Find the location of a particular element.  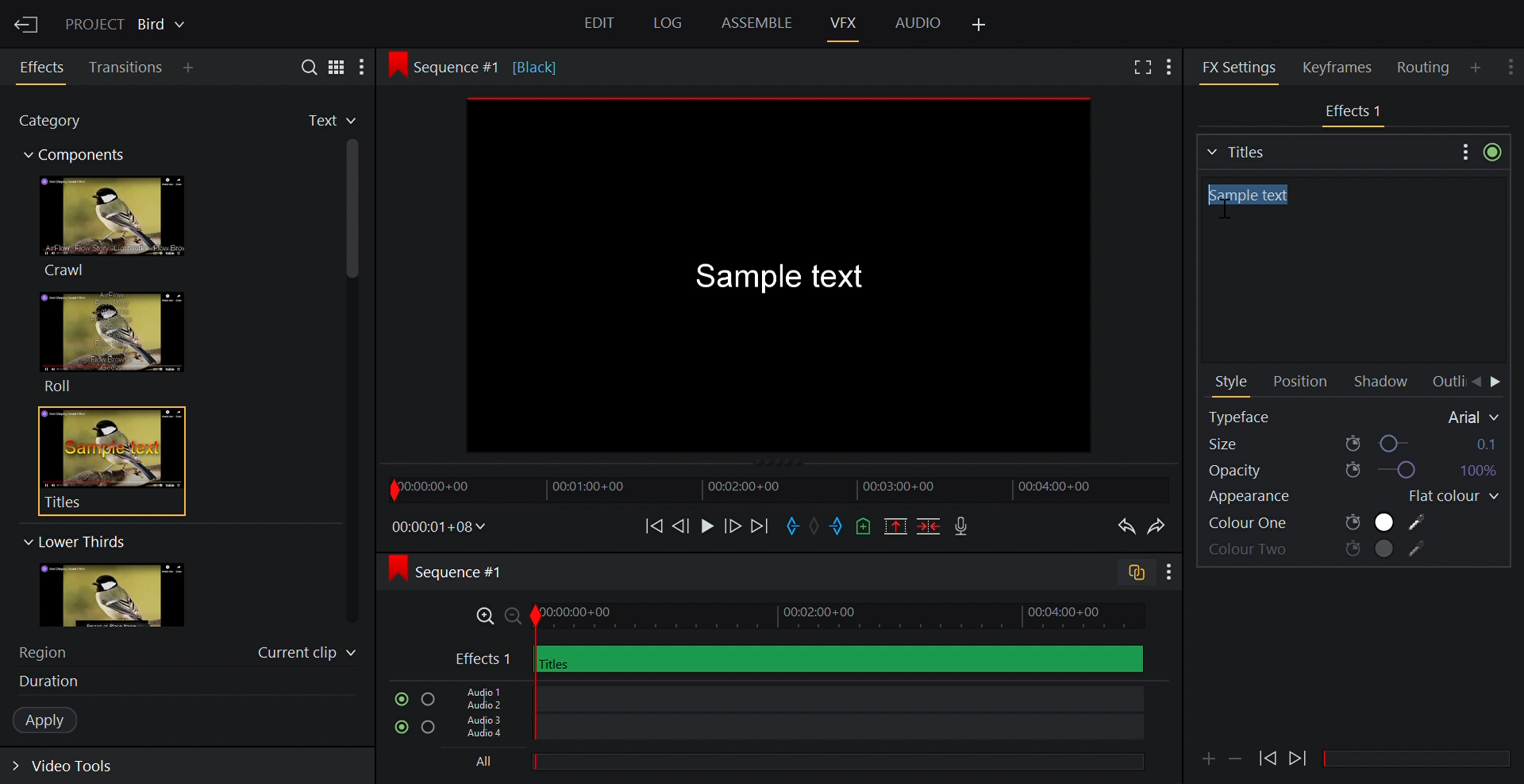

Routing is located at coordinates (1426, 67).